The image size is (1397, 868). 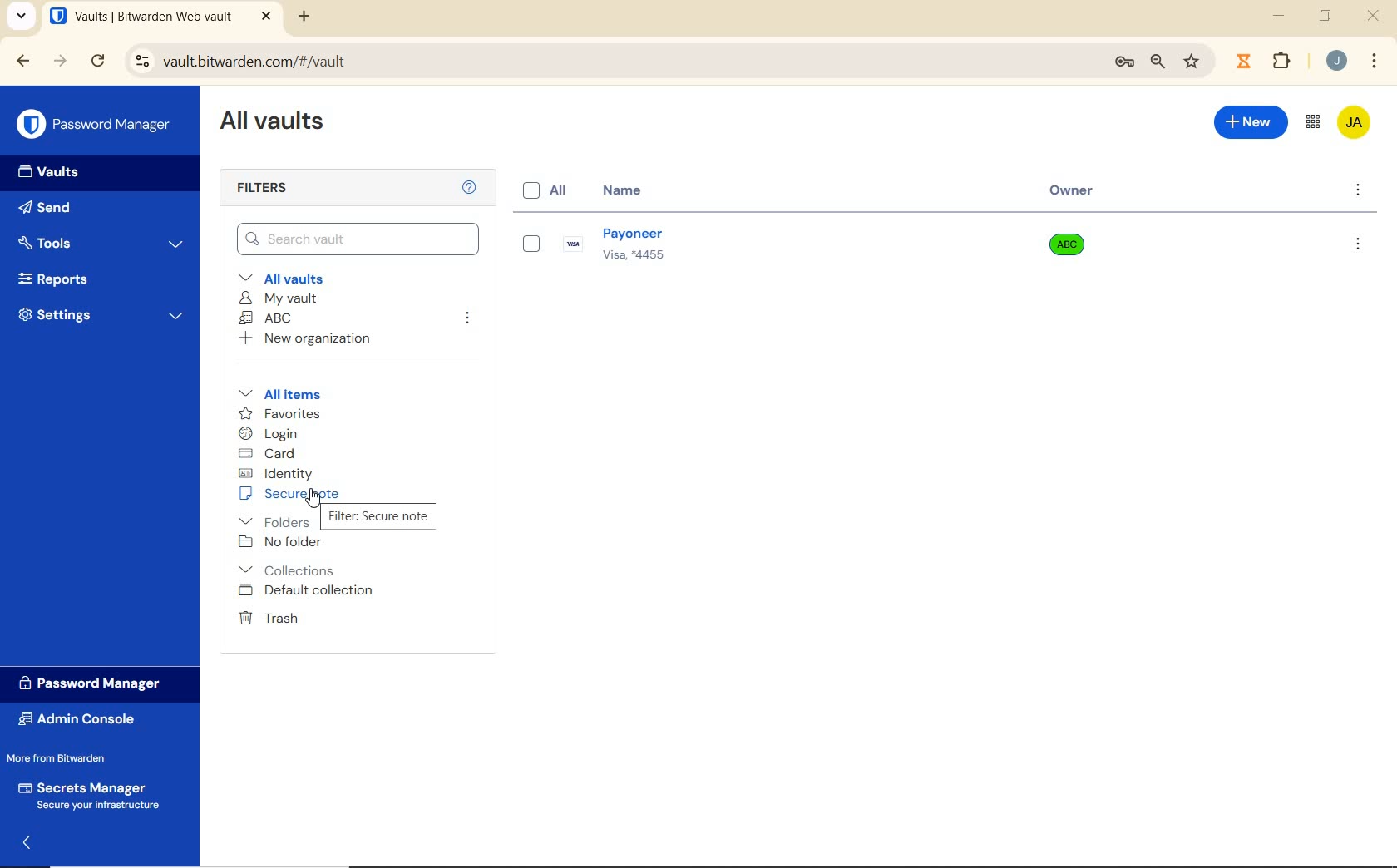 I want to click on name, so click(x=623, y=189).